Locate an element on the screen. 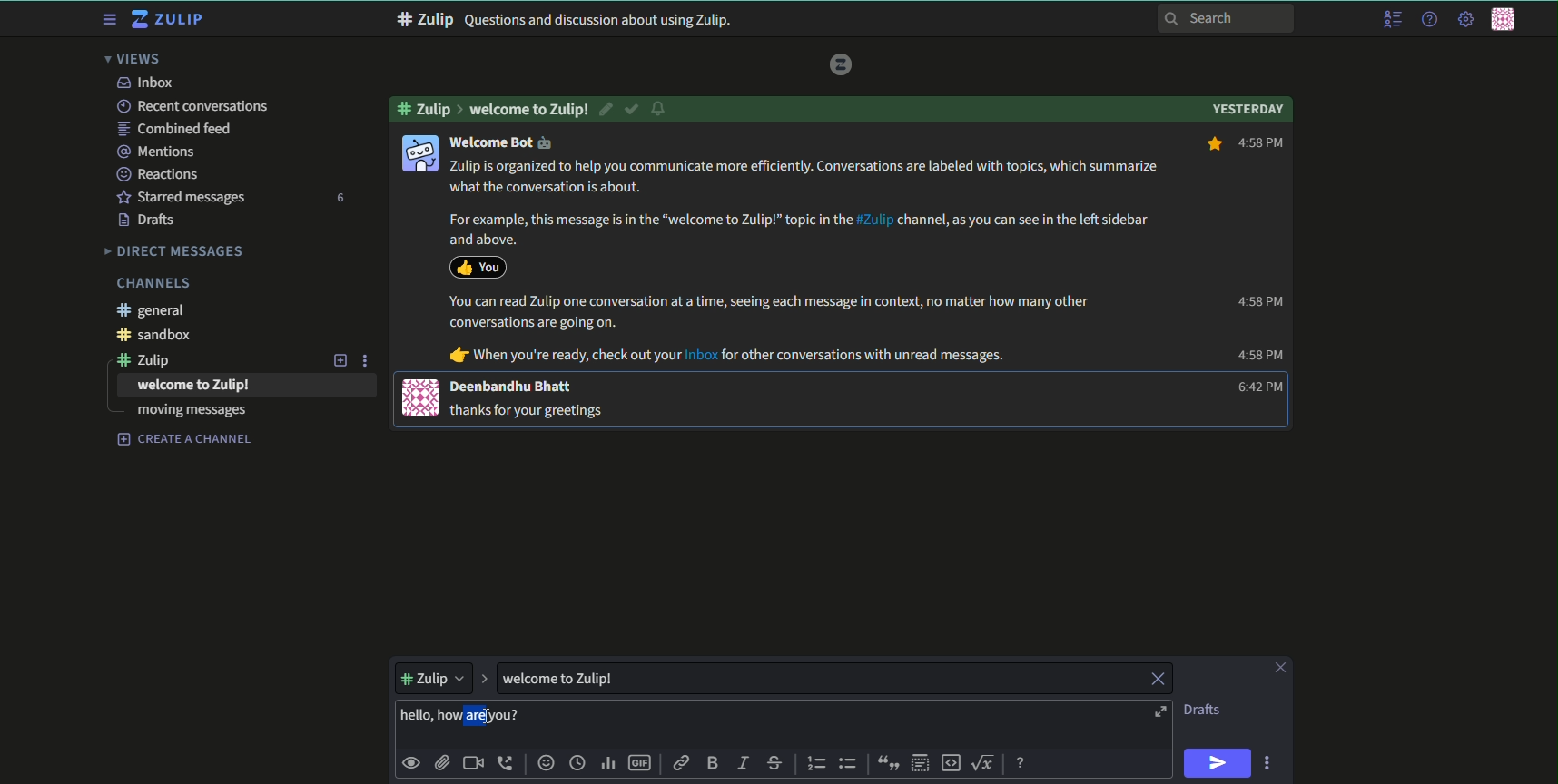 The height and width of the screenshot is (784, 1558). upload files is located at coordinates (441, 761).